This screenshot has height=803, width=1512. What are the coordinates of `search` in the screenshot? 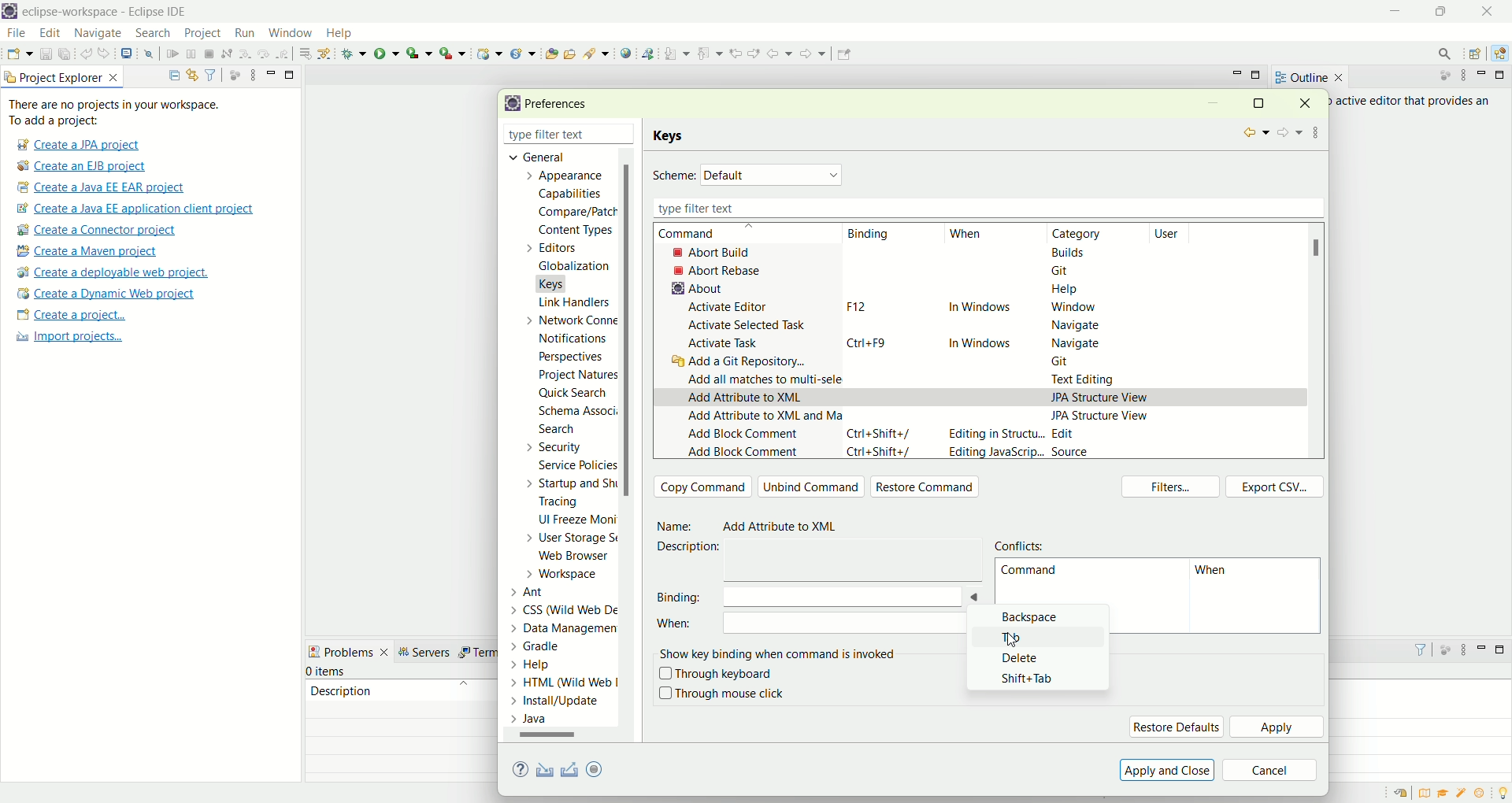 It's located at (557, 431).